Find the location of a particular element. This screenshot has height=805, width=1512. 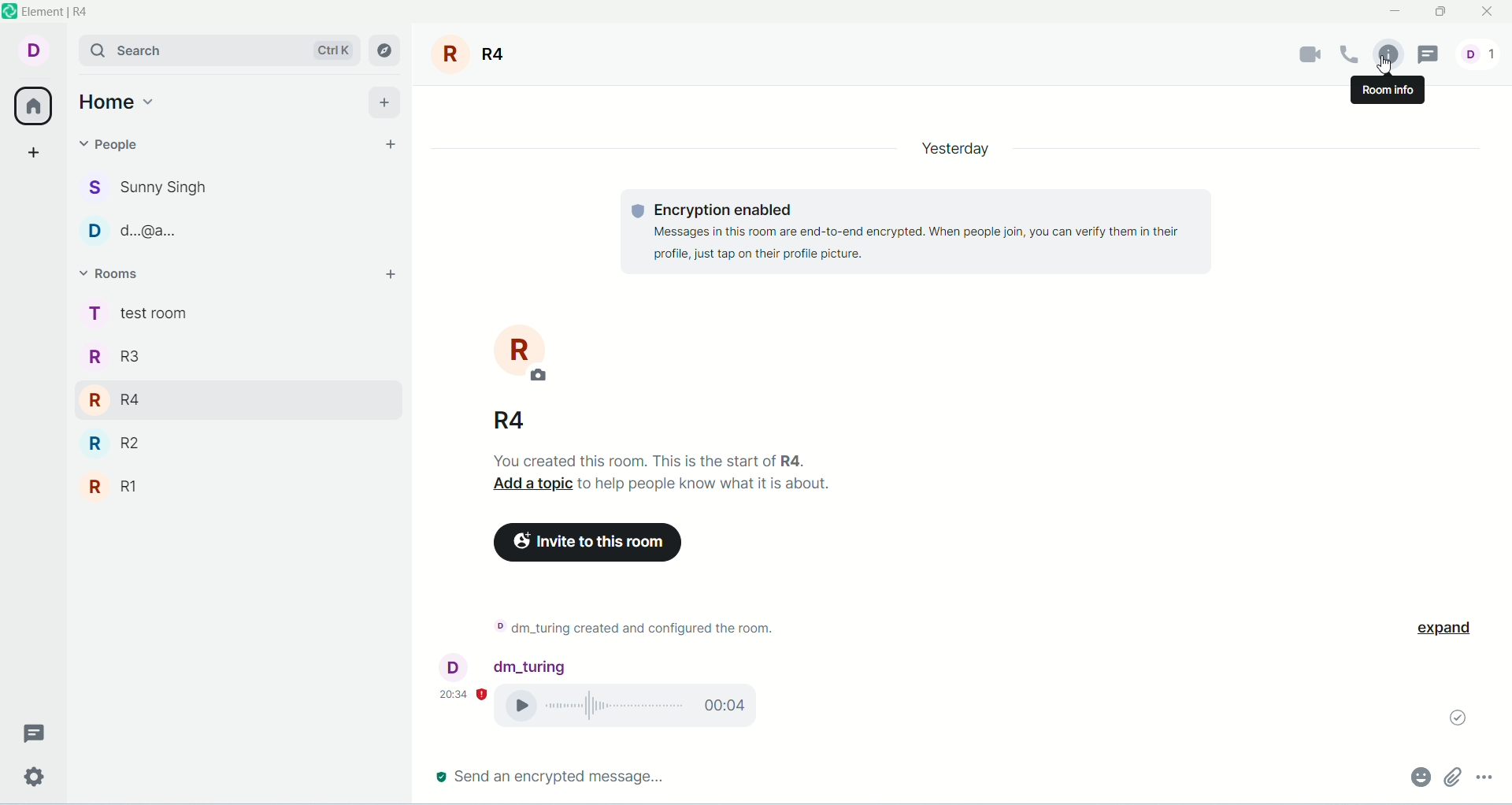

room info is located at coordinates (1387, 90).